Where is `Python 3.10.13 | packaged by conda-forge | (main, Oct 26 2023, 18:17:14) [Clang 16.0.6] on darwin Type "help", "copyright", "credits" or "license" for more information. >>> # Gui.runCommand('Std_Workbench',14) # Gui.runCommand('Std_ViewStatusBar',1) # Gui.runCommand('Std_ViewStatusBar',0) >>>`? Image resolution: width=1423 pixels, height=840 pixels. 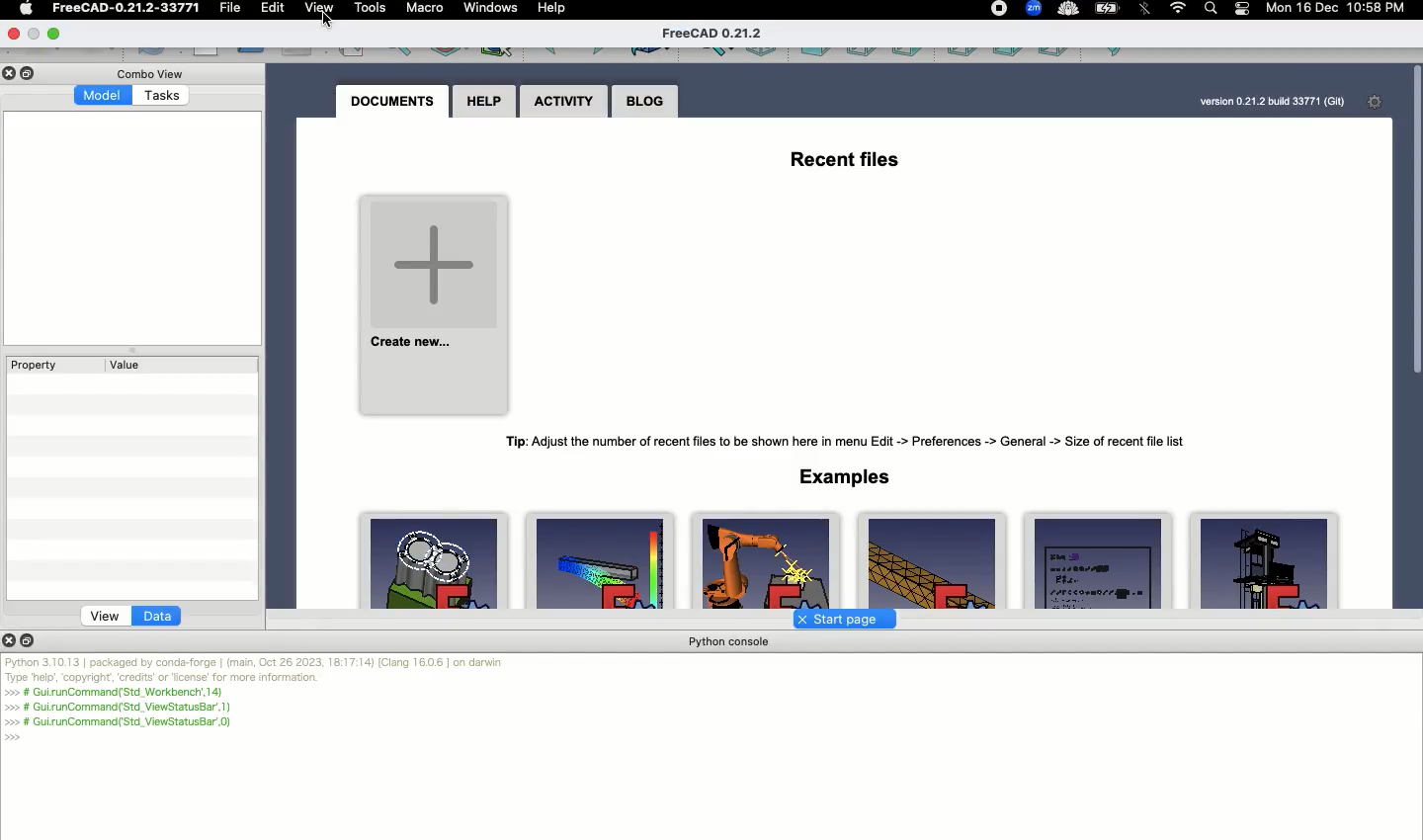 Python 3.10.13 | packaged by conda-forge | (main, Oct 26 2023, 18:17:14) [Clang 16.0.6] on darwin Type "help", "copyright", "credits" or "license" for more information. >>> # Gui.runCommand('Std_Workbench',14) # Gui.runCommand('Std_ViewStatusBar',1) # Gui.runCommand('Std_ViewStatusBar',0) >>> is located at coordinates (257, 700).